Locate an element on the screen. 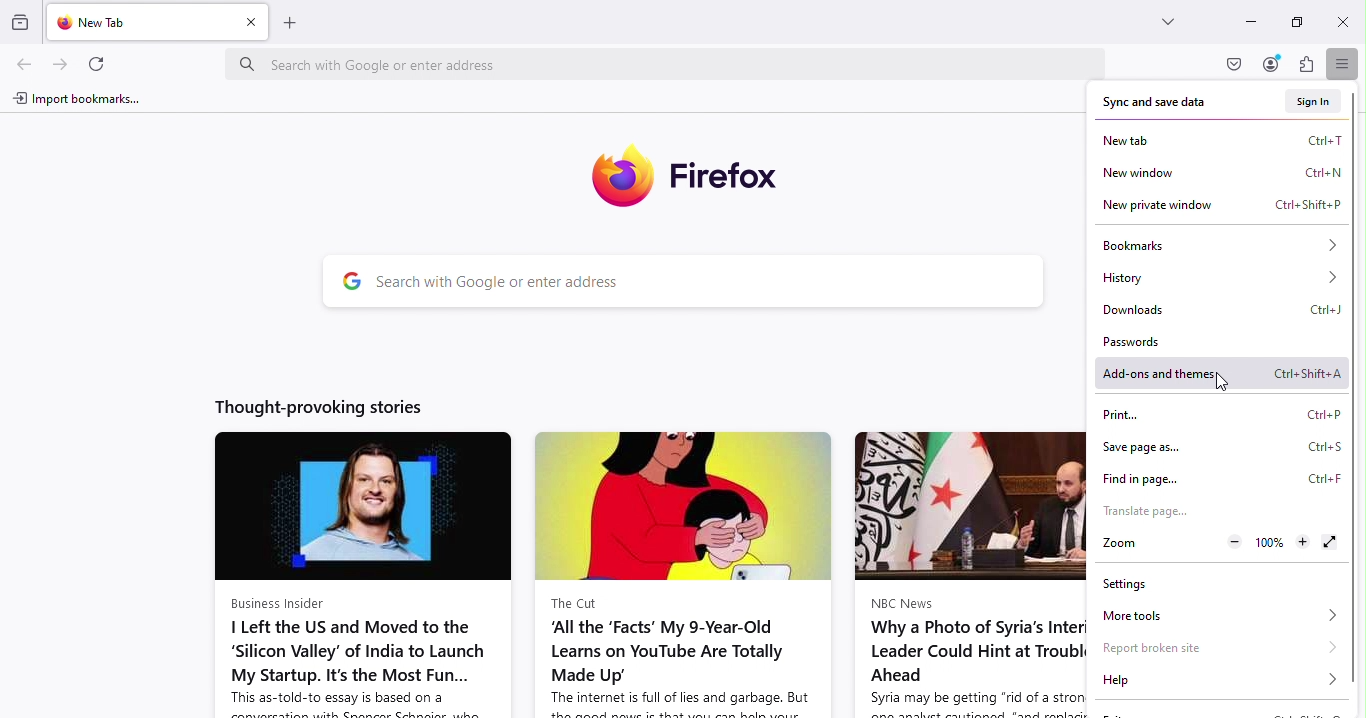 The height and width of the screenshot is (718, 1366). Save to pocket is located at coordinates (1233, 65).